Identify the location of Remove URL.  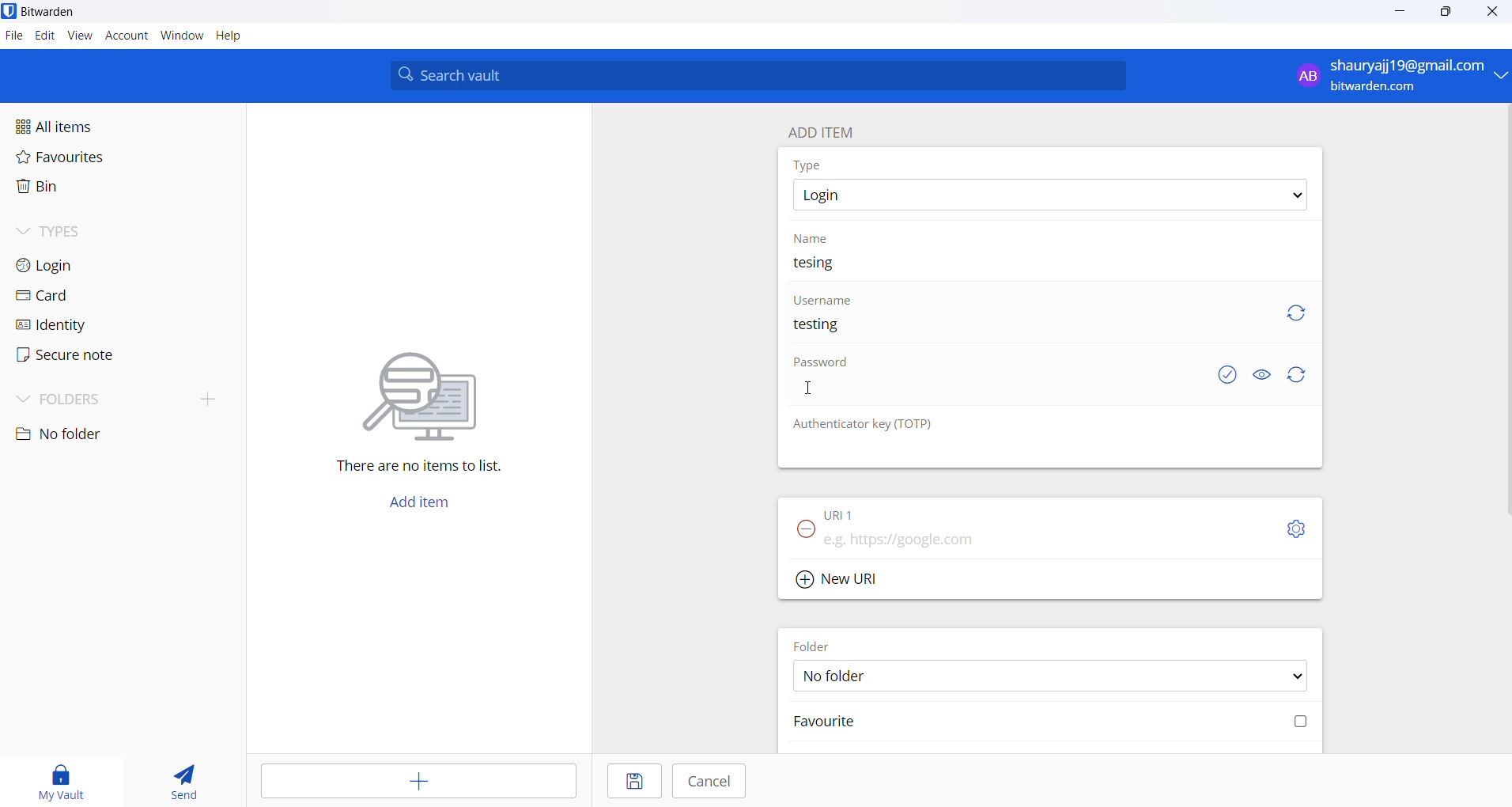
(801, 534).